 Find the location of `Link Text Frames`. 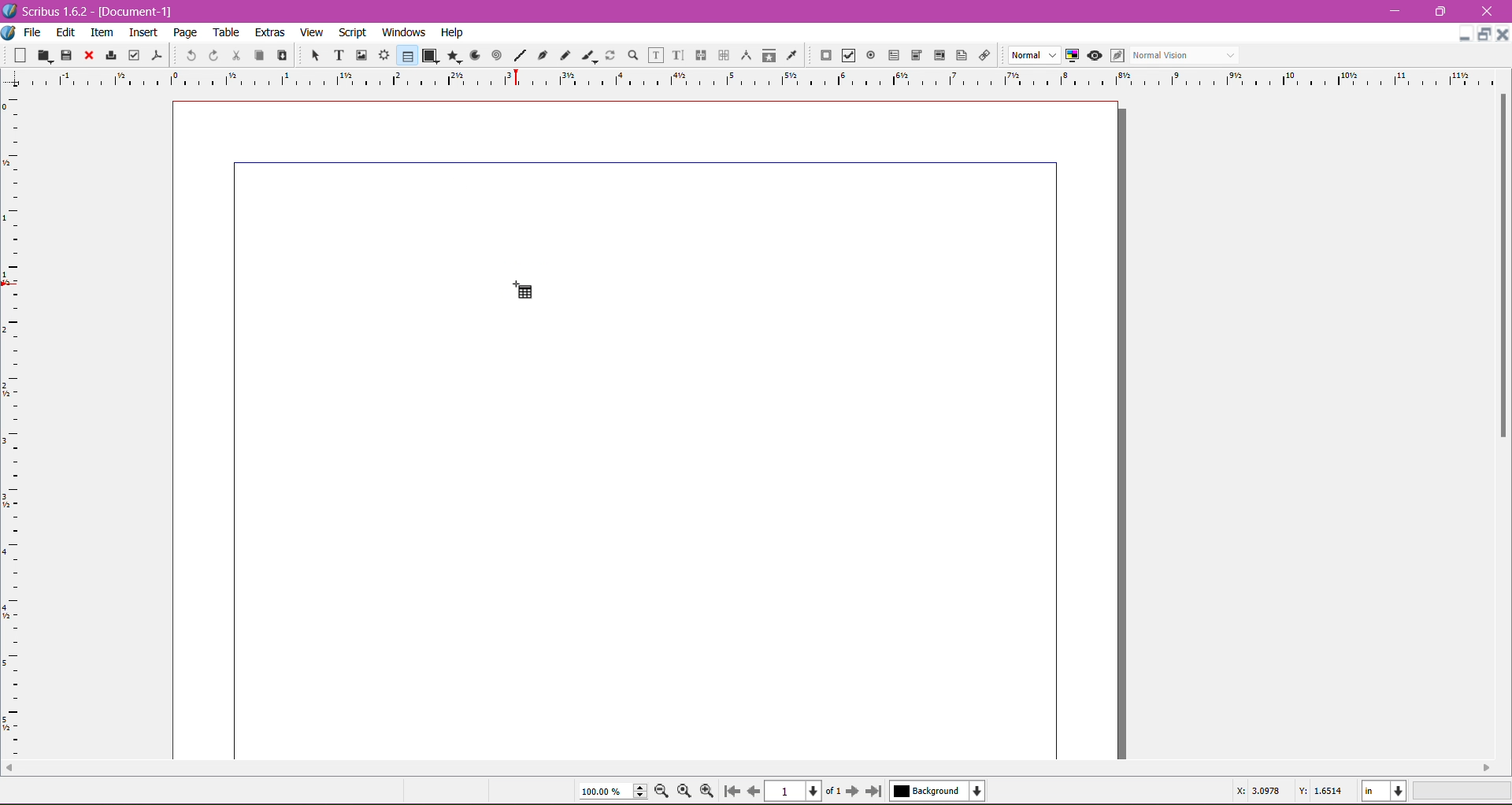

Link Text Frames is located at coordinates (699, 55).